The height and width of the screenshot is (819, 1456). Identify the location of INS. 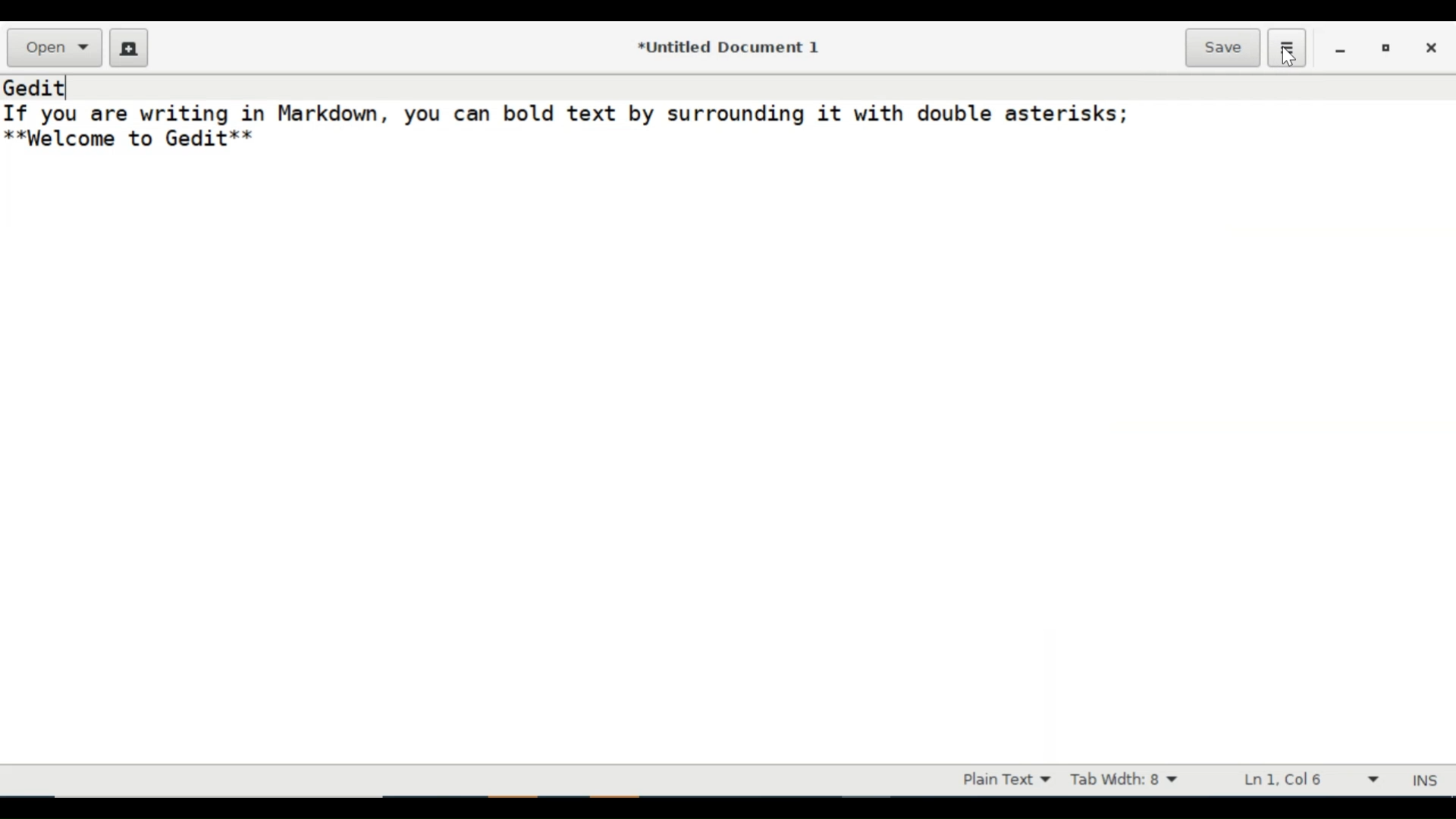
(1428, 780).